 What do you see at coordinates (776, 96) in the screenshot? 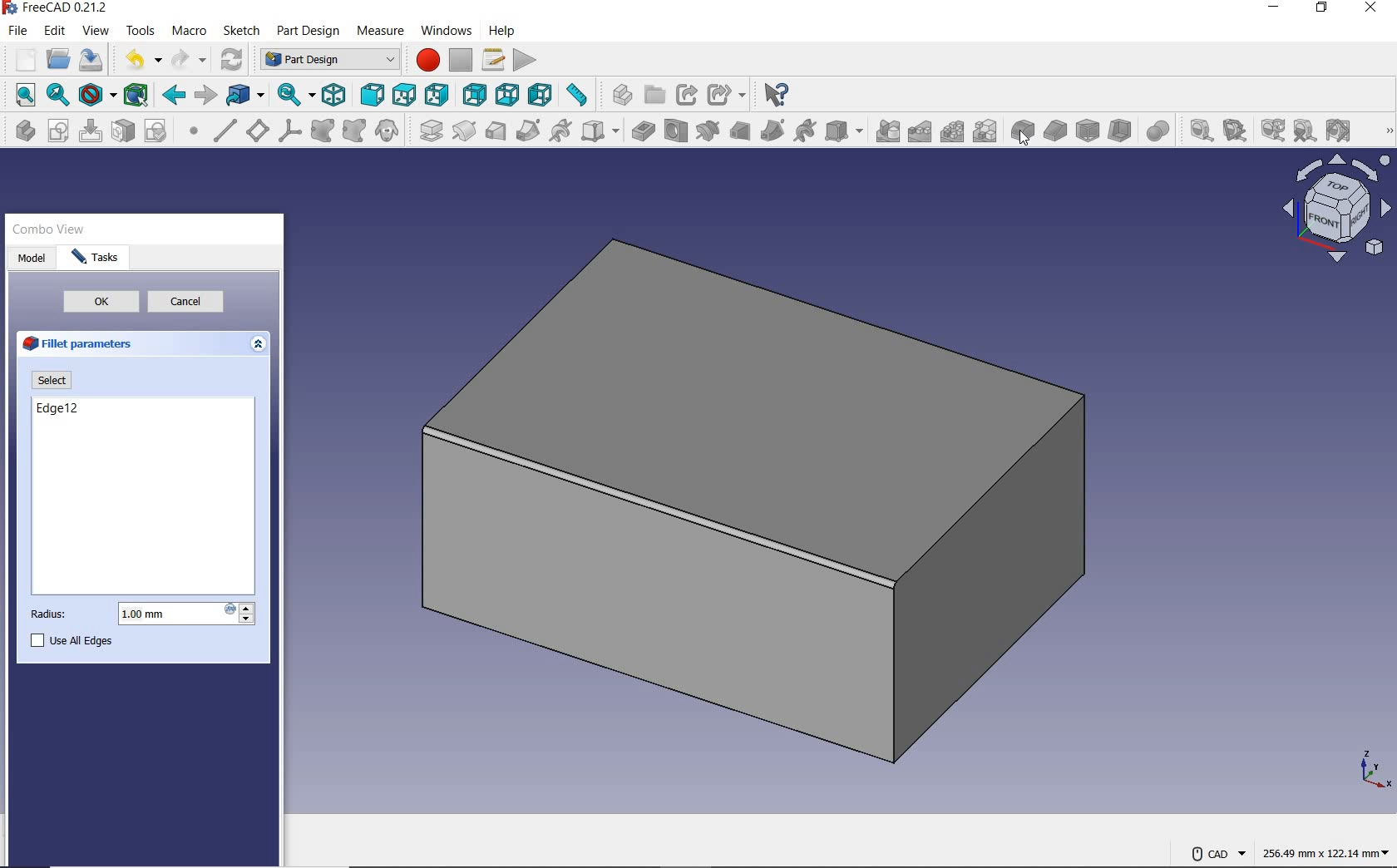
I see `what's this?` at bounding box center [776, 96].